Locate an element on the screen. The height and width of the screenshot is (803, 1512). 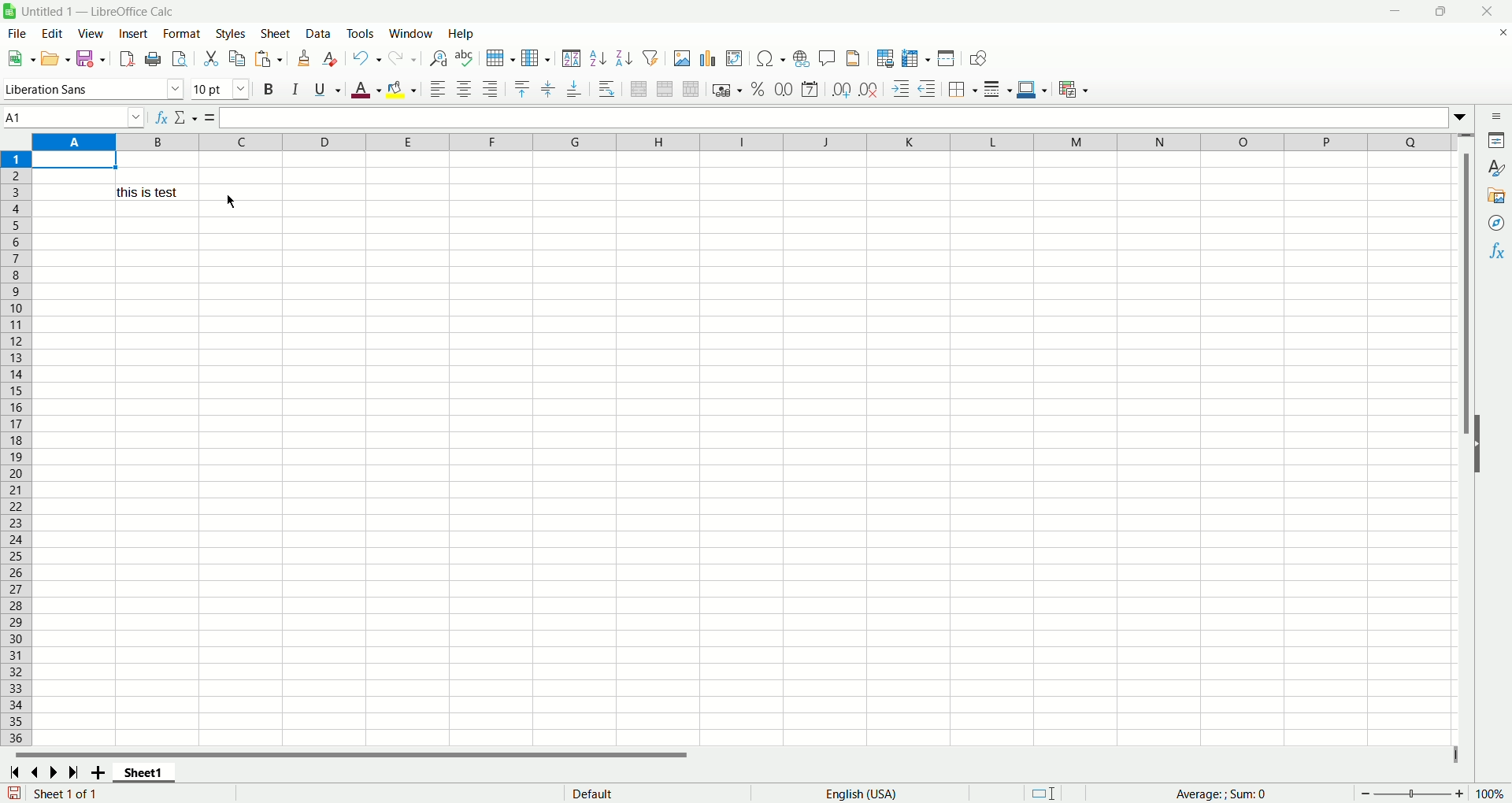
font size is located at coordinates (220, 89).